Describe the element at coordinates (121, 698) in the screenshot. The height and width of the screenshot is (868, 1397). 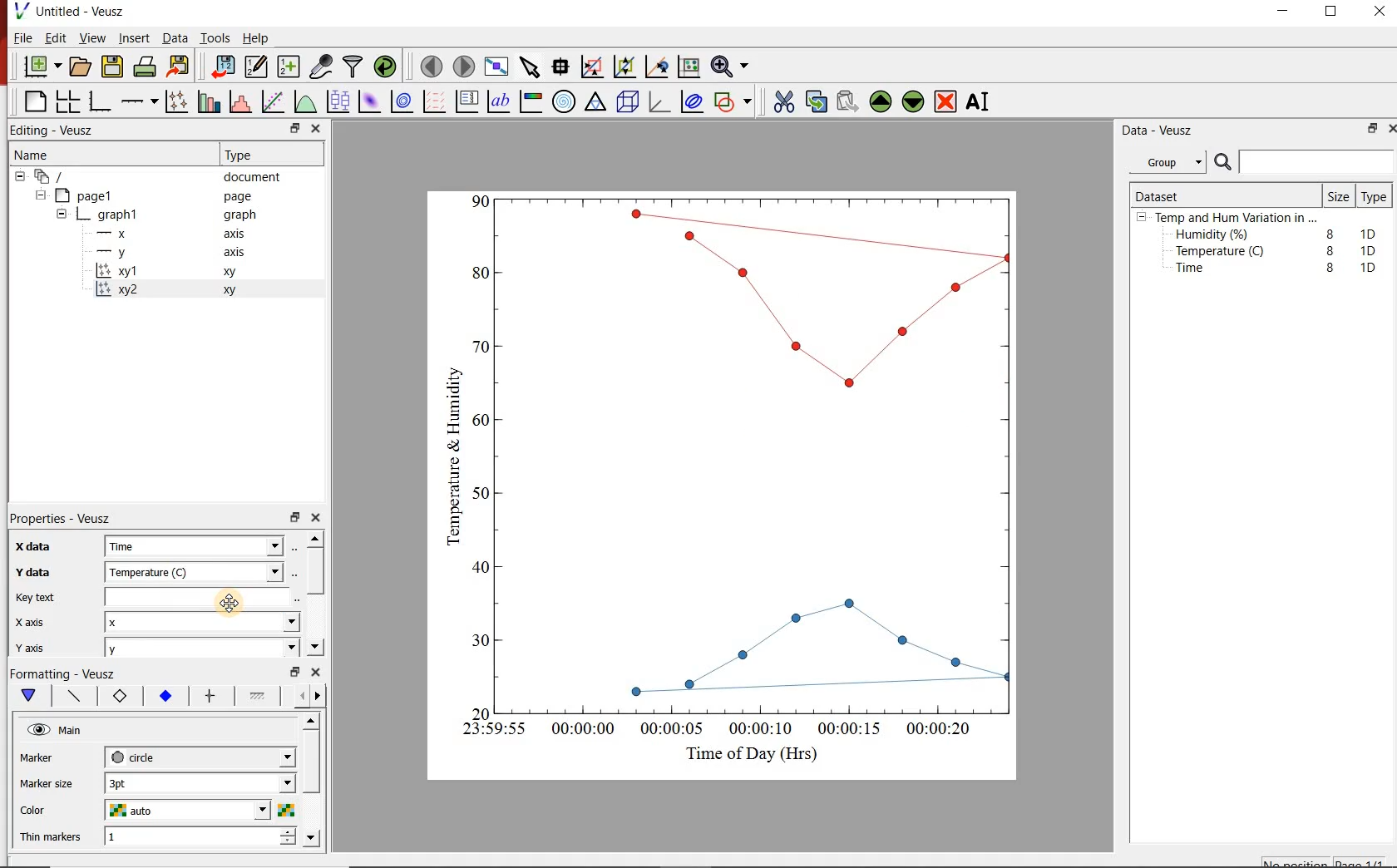
I see `marker border` at that location.